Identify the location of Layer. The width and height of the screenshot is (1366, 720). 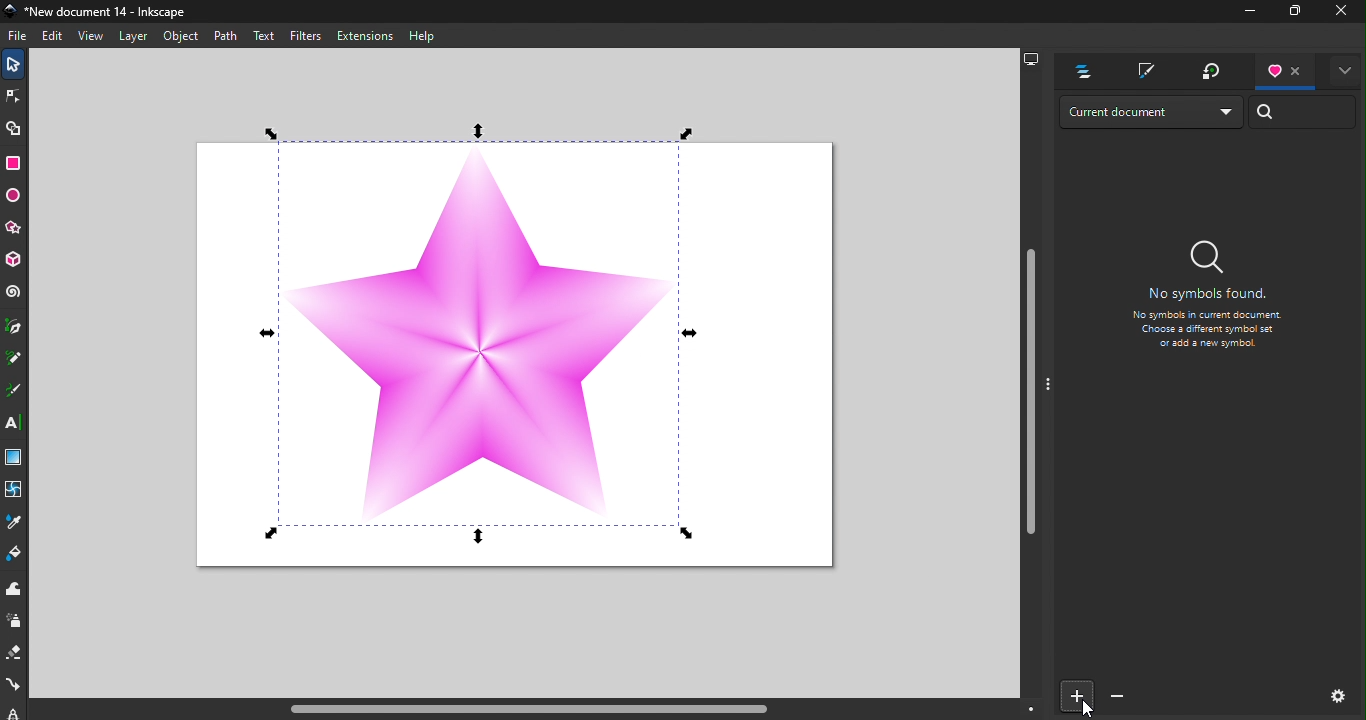
(134, 35).